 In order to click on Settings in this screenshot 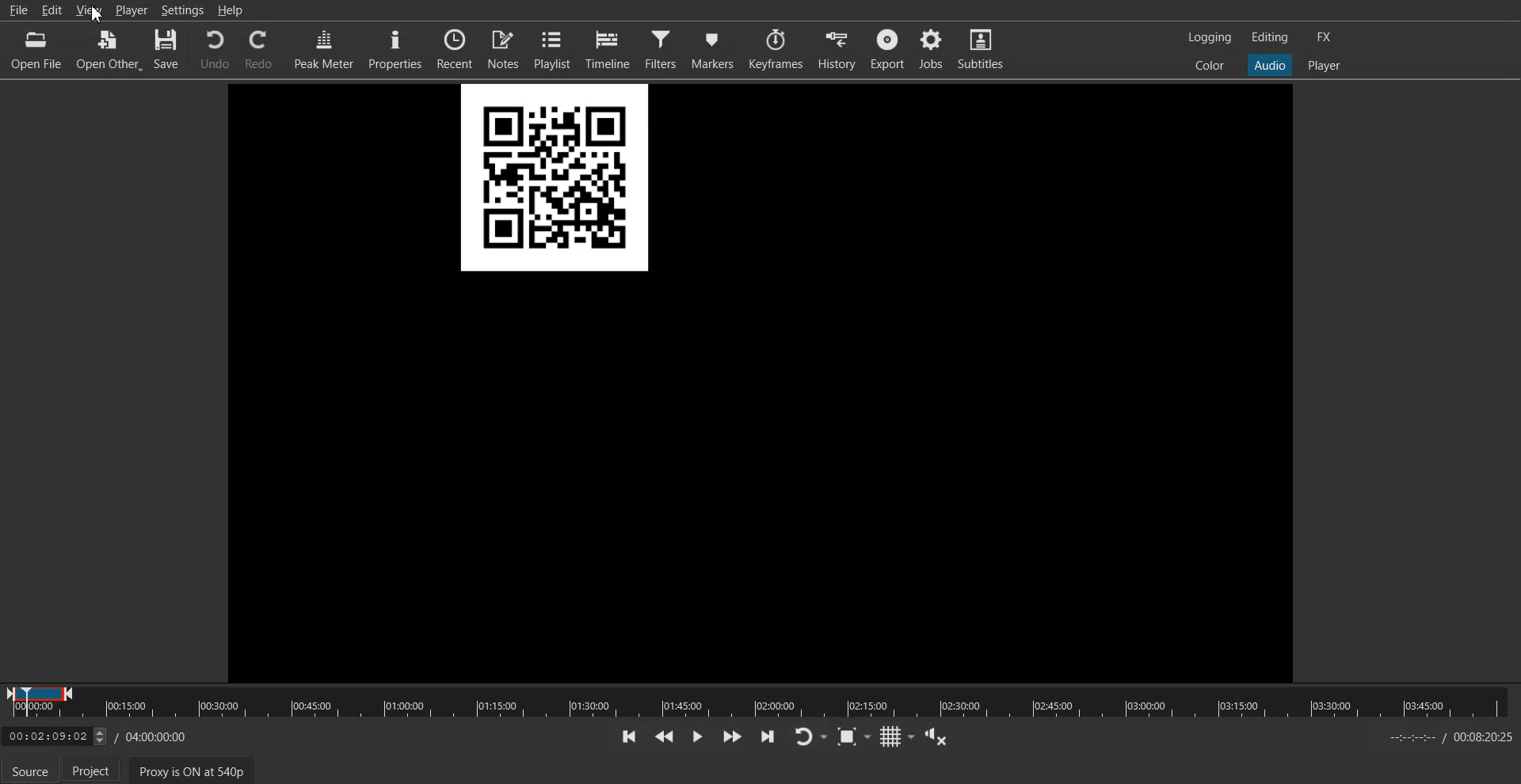, I will do `click(183, 10)`.